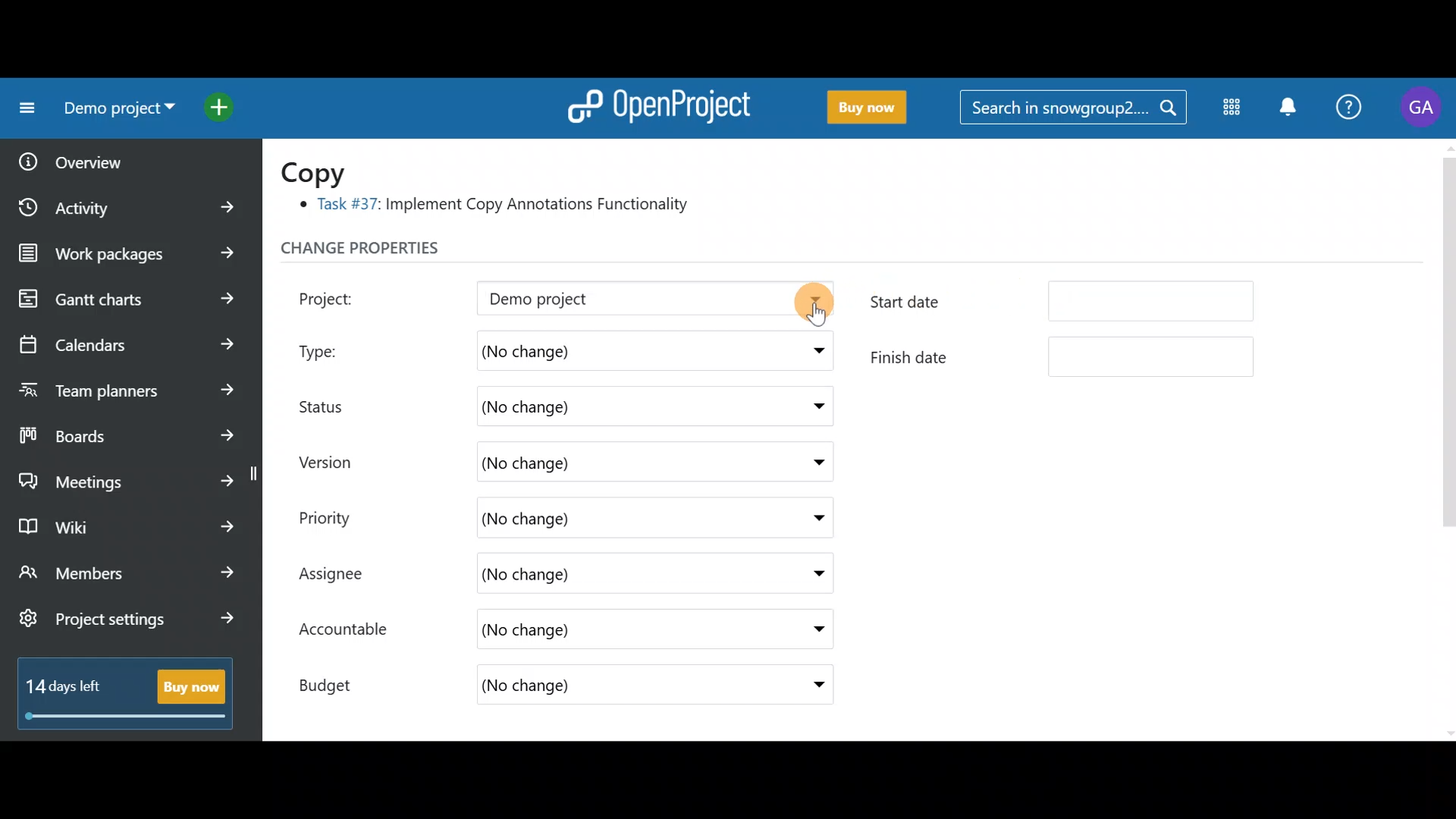 This screenshot has width=1456, height=819. What do you see at coordinates (124, 522) in the screenshot?
I see `Wiki` at bounding box center [124, 522].